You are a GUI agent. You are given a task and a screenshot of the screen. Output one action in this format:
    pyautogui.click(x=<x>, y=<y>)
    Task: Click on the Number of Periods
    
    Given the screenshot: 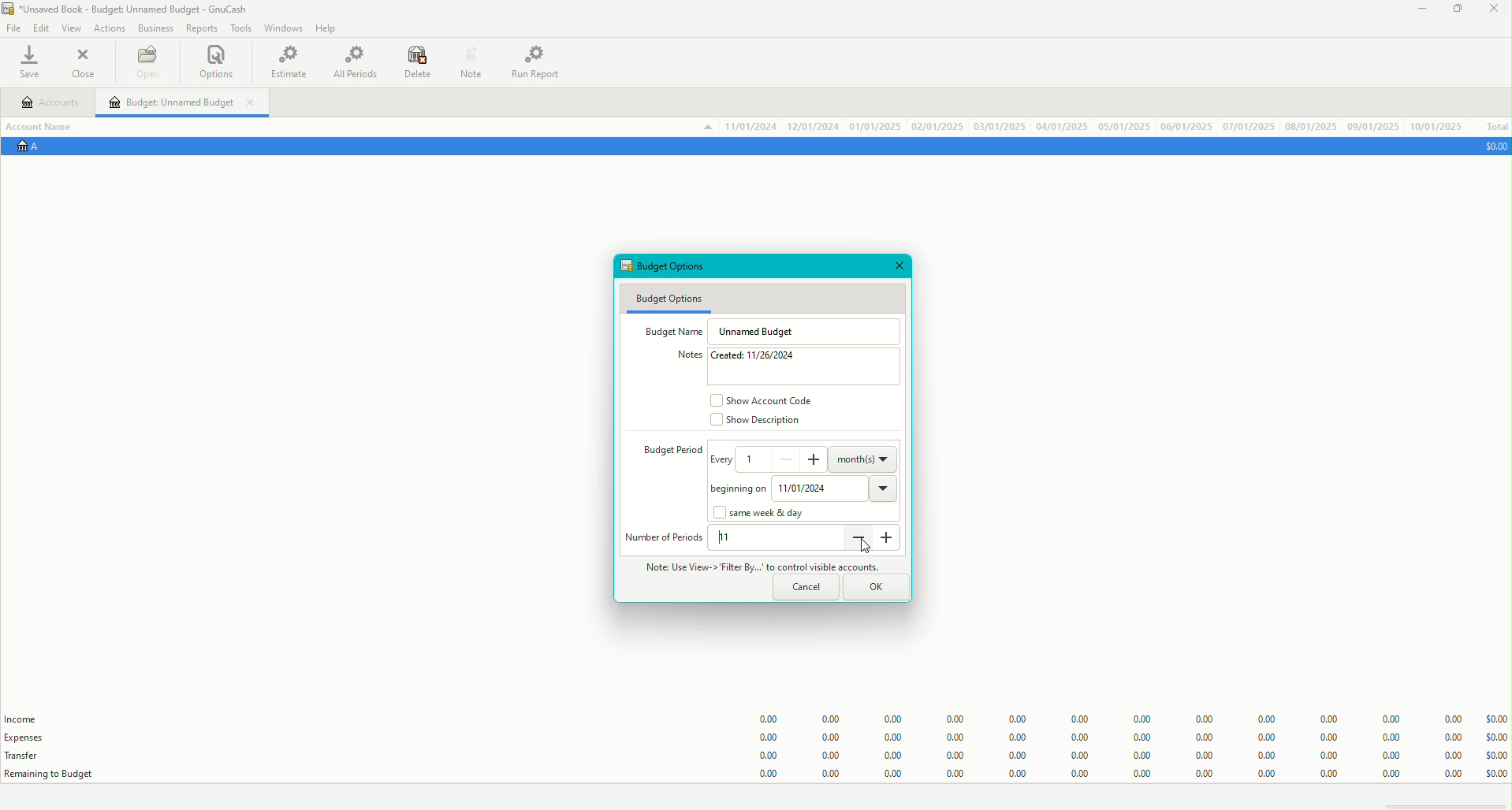 What is the action you would take?
    pyautogui.click(x=665, y=537)
    